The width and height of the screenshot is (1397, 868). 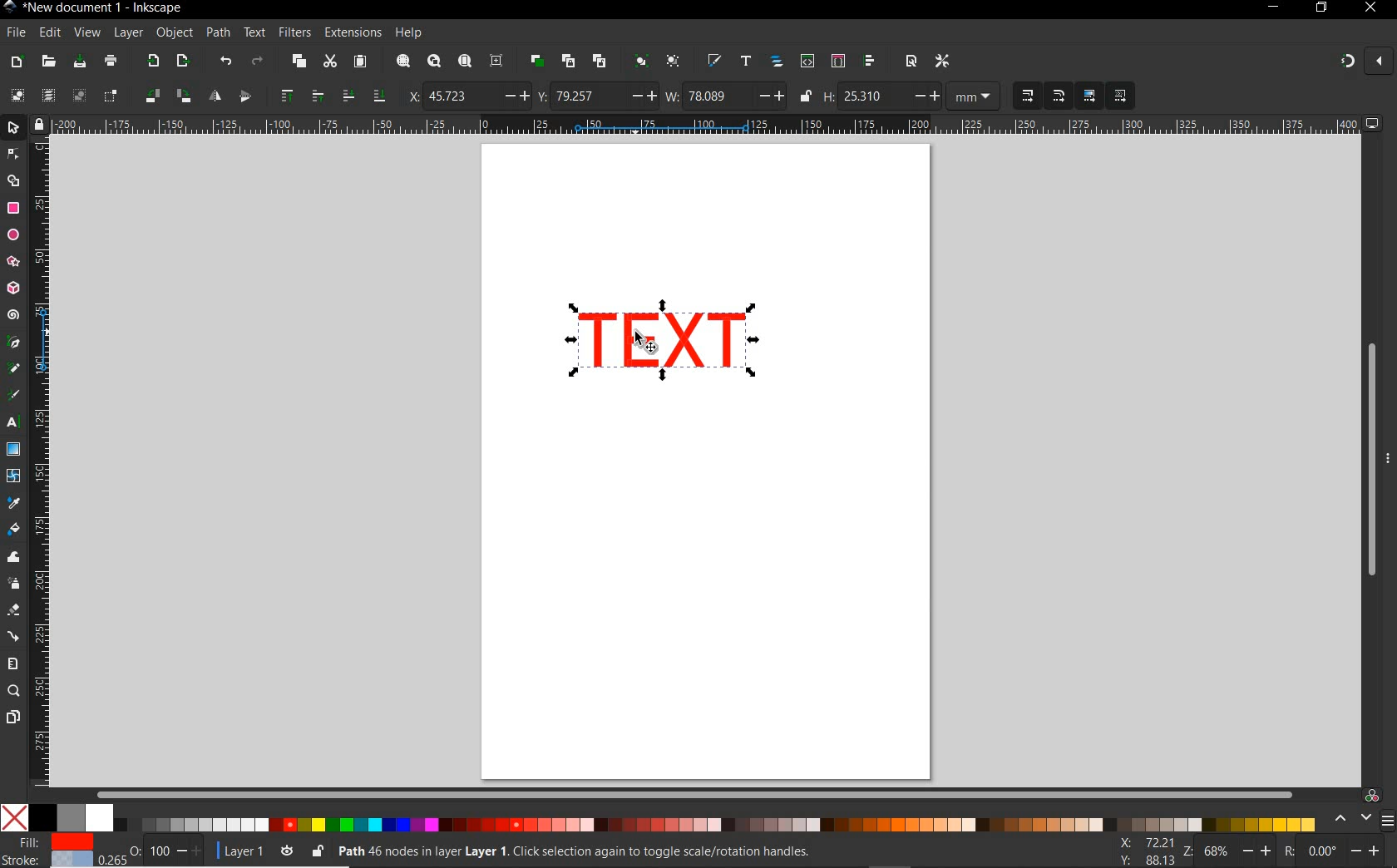 What do you see at coordinates (14, 692) in the screenshot?
I see `ZOOM TOOL` at bounding box center [14, 692].